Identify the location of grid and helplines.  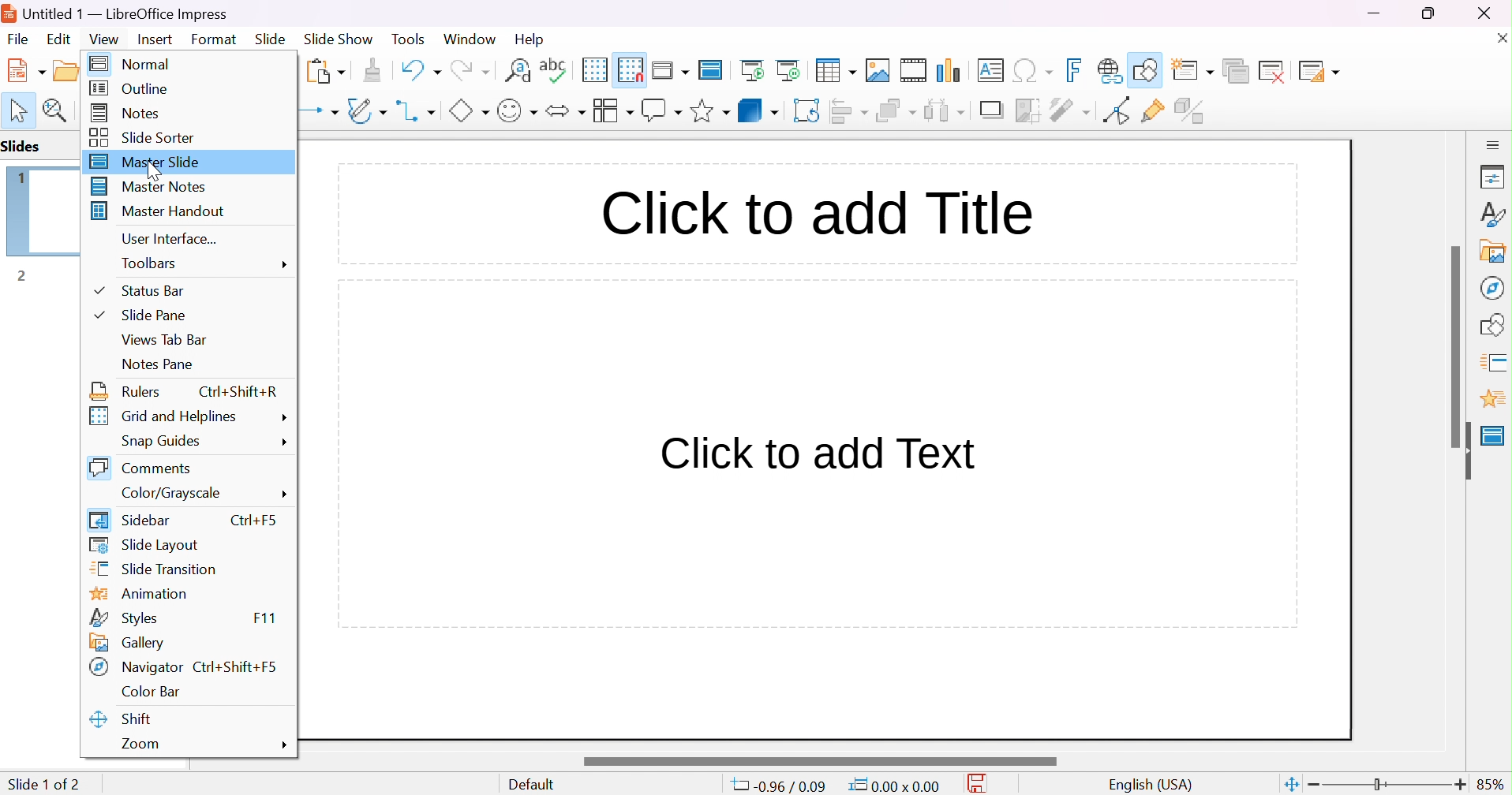
(163, 416).